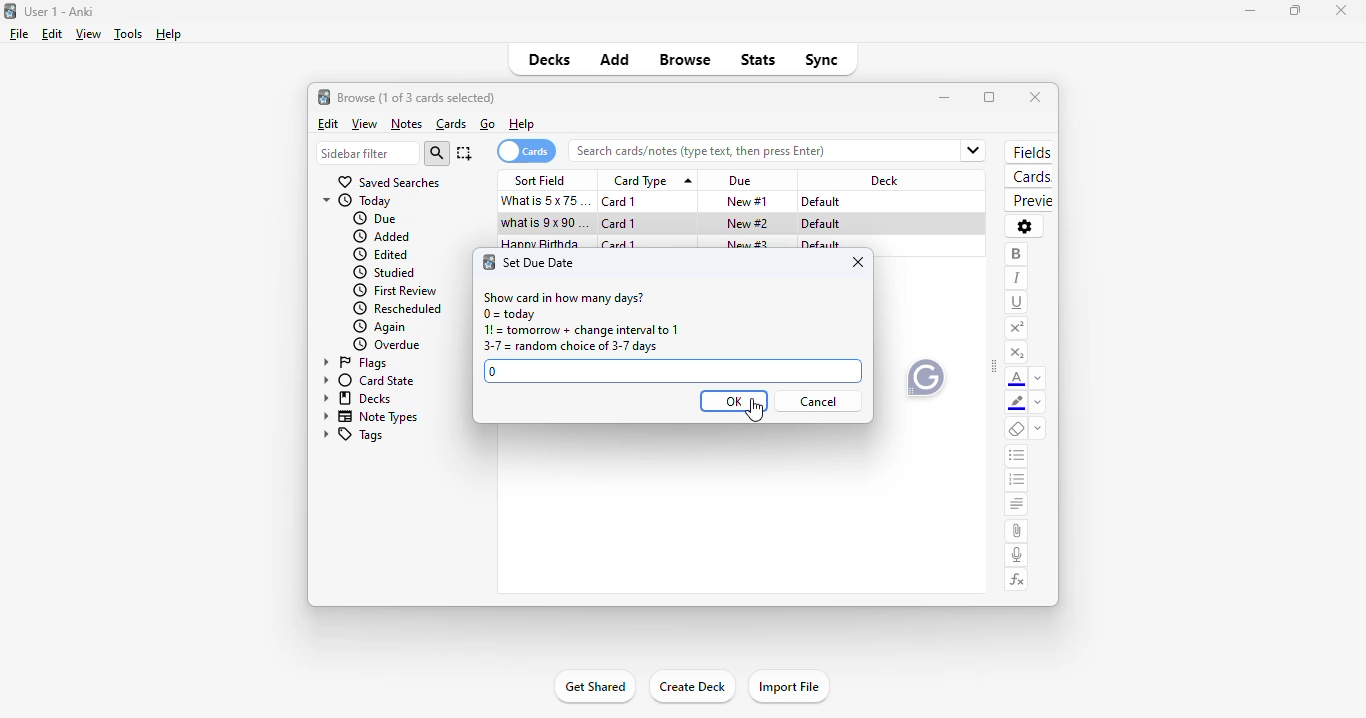  Describe the element at coordinates (1017, 531) in the screenshot. I see `attach pictures/audio/video` at that location.